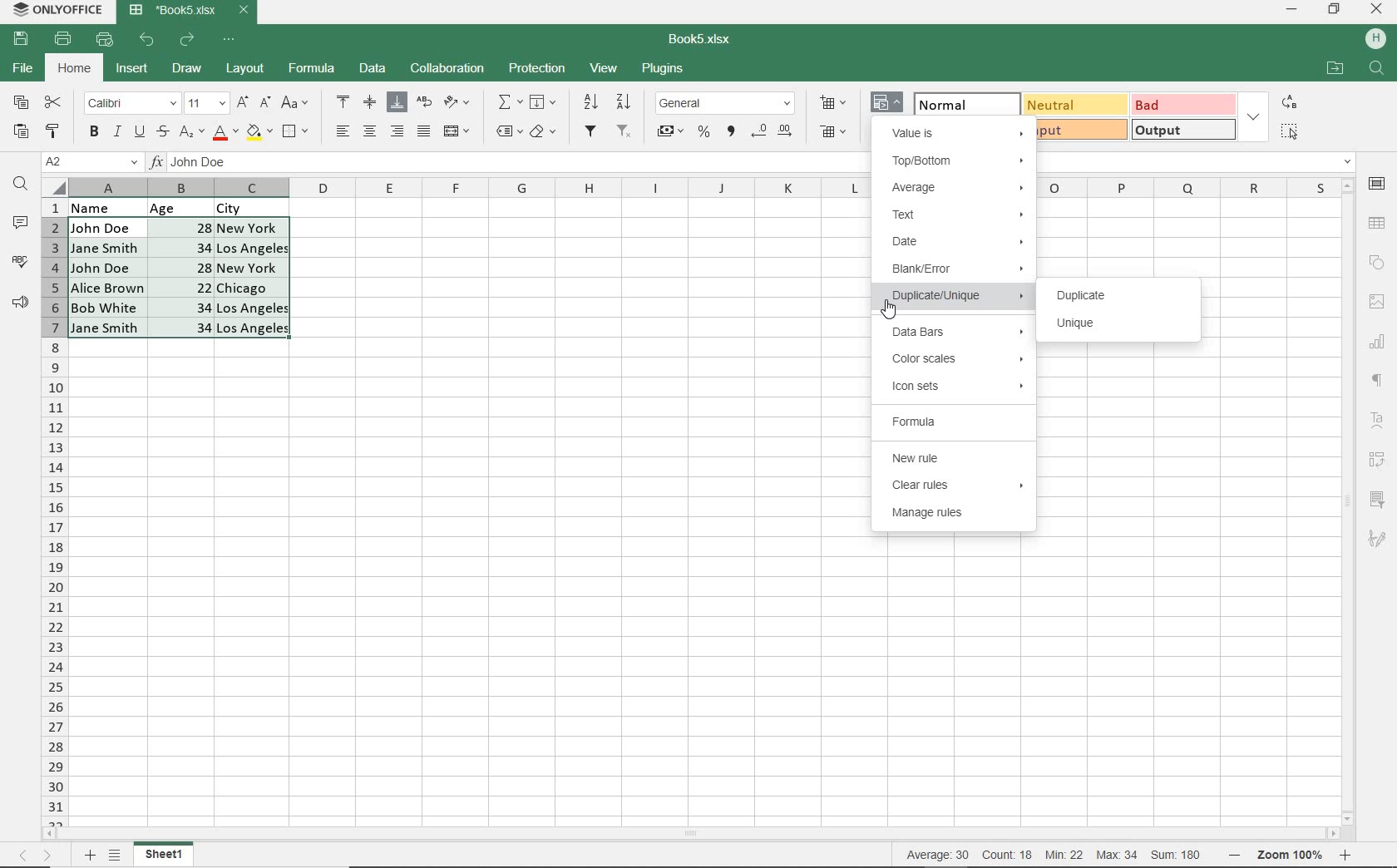 Image resolution: width=1397 pixels, height=868 pixels. Describe the element at coordinates (1377, 69) in the screenshot. I see `Search` at that location.